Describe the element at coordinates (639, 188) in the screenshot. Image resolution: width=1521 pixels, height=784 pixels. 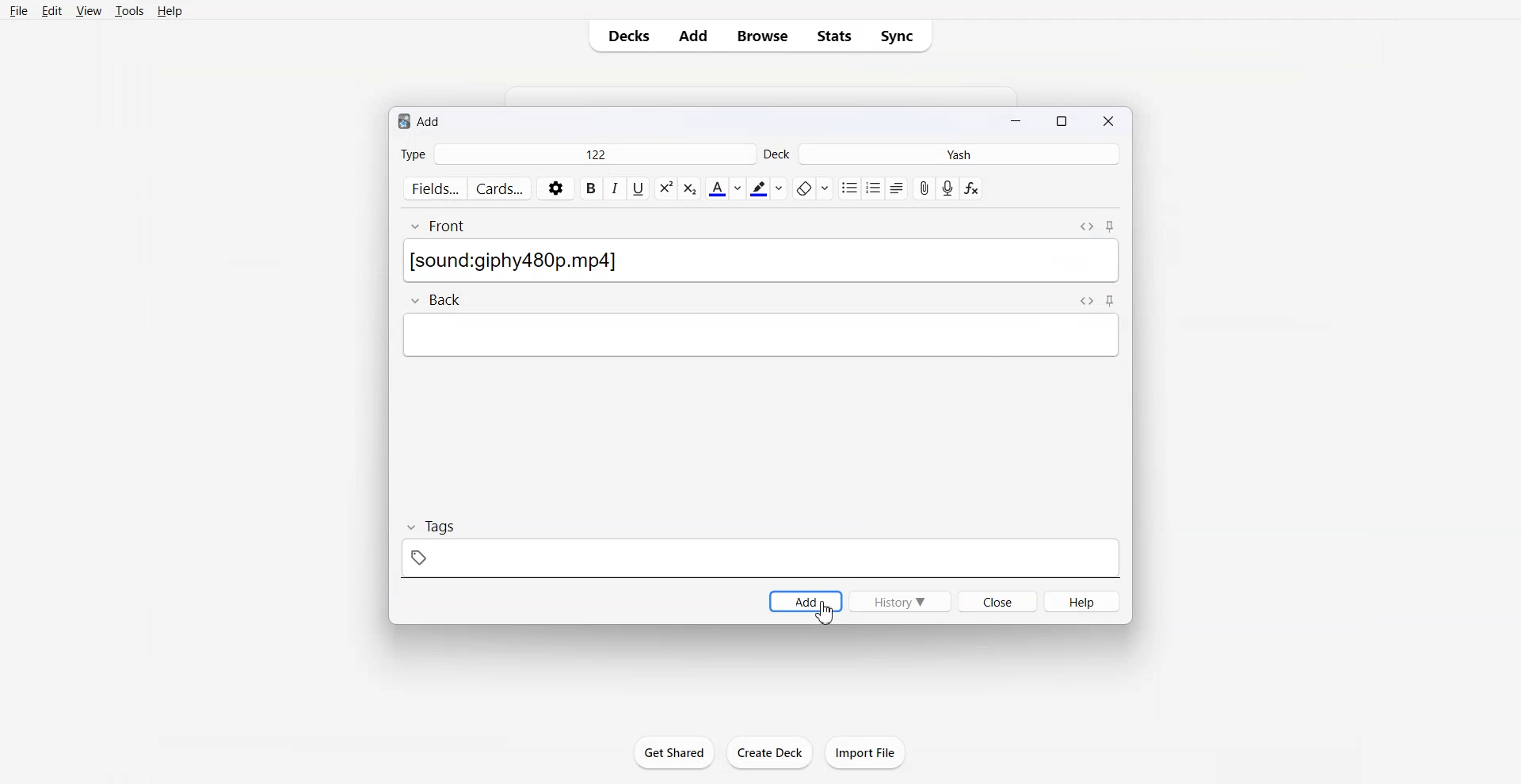
I see `Underline` at that location.